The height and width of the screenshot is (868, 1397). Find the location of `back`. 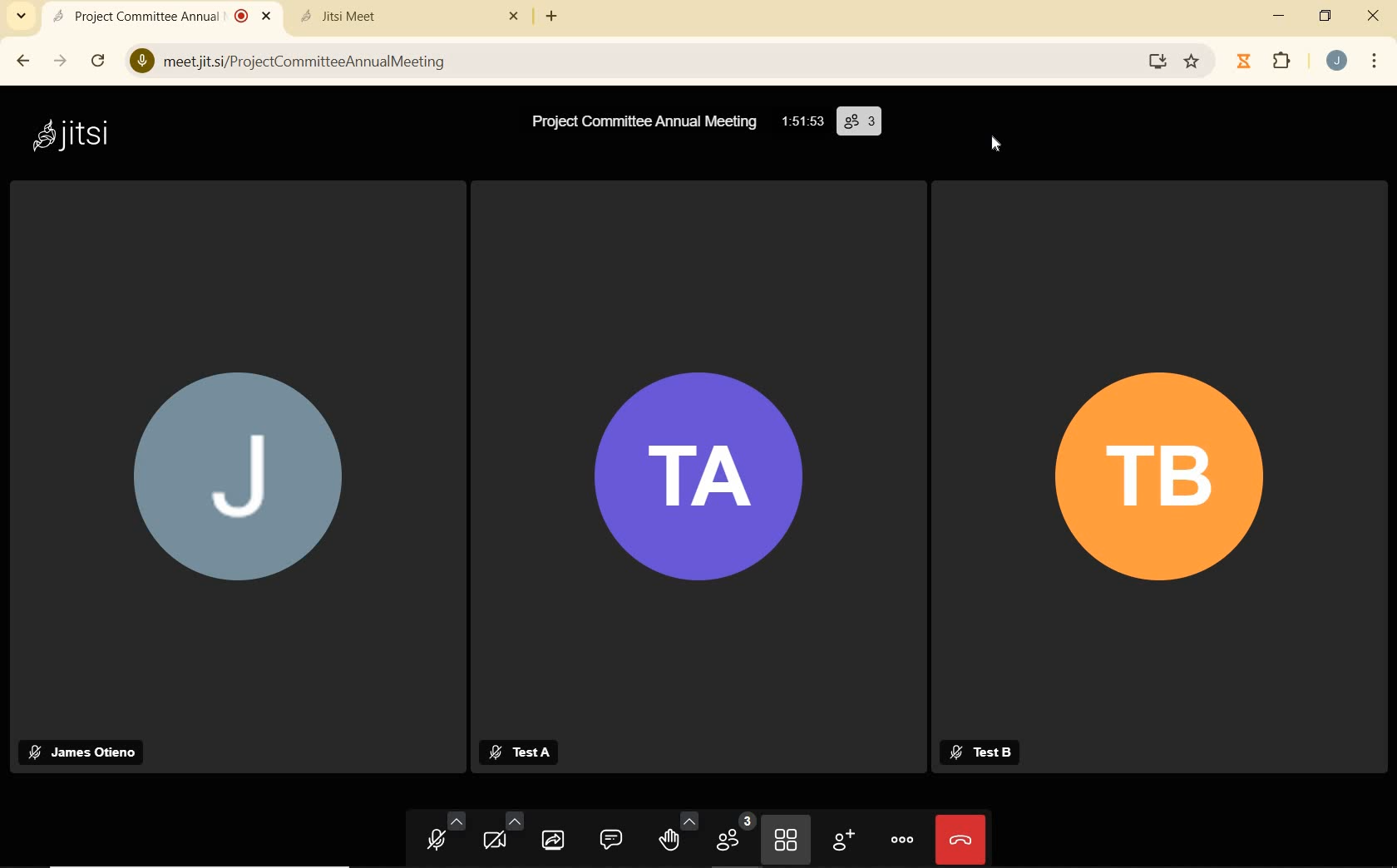

back is located at coordinates (20, 60).